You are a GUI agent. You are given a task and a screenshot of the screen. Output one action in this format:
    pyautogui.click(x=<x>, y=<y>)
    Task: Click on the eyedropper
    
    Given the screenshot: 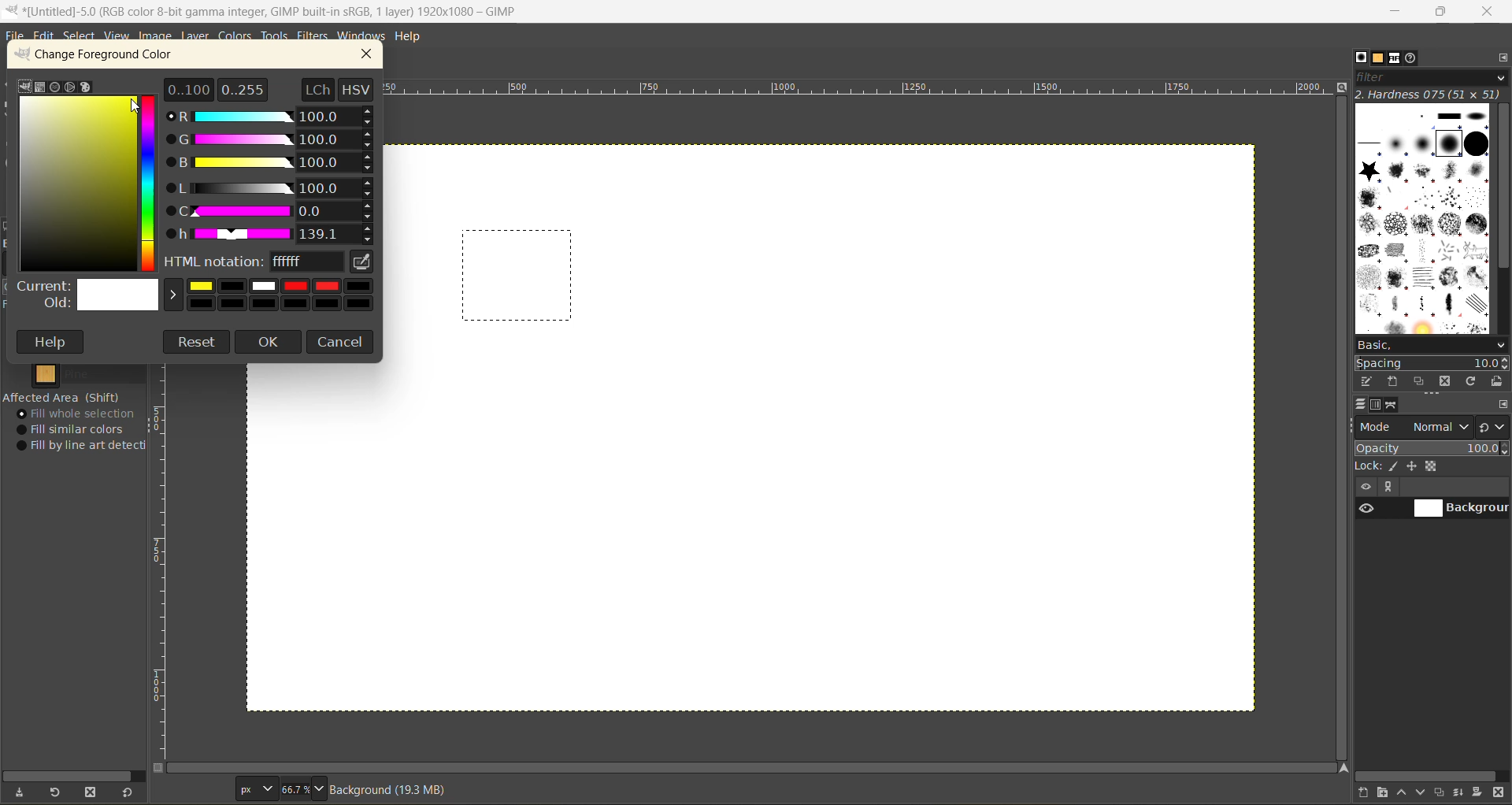 What is the action you would take?
    pyautogui.click(x=363, y=262)
    